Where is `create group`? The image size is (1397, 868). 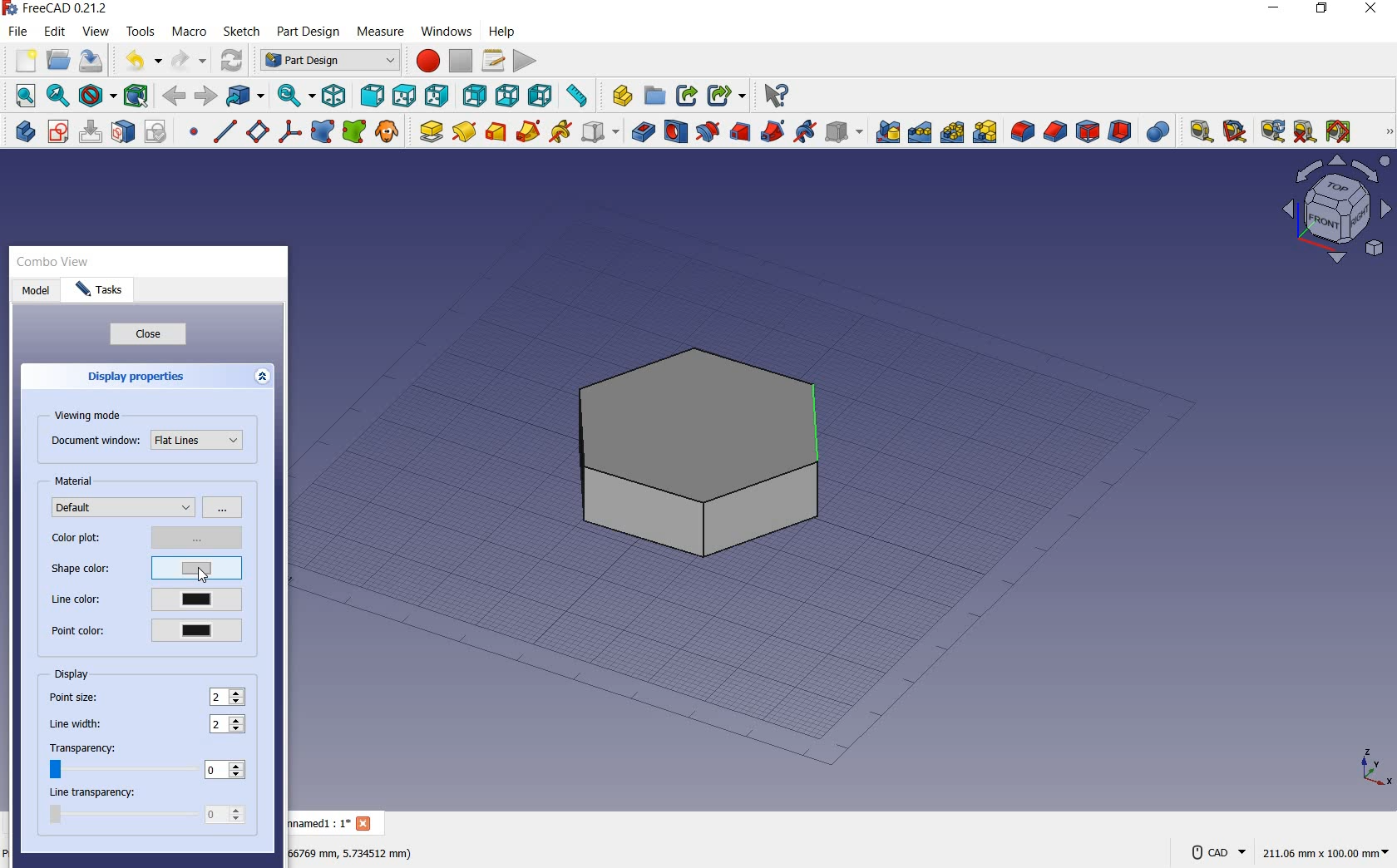
create group is located at coordinates (655, 96).